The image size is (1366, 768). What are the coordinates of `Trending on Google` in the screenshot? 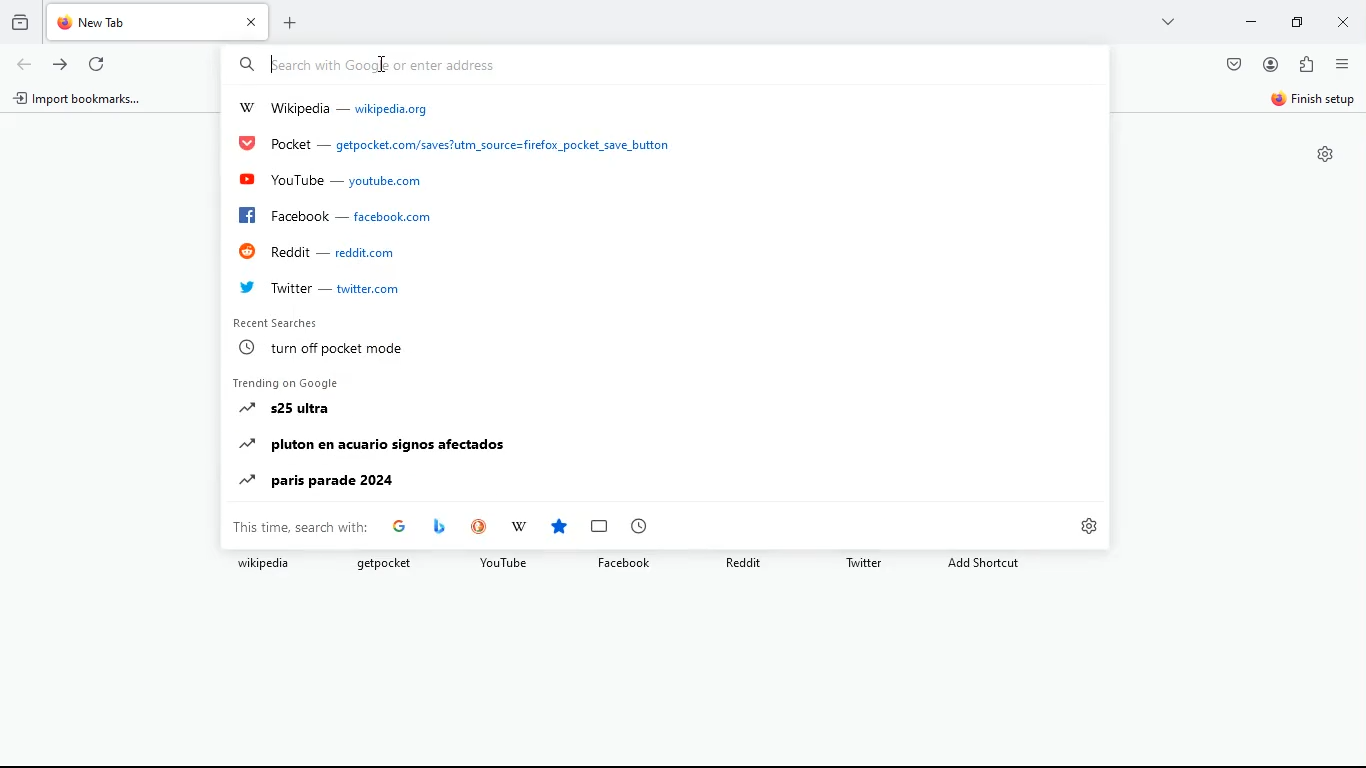 It's located at (284, 382).